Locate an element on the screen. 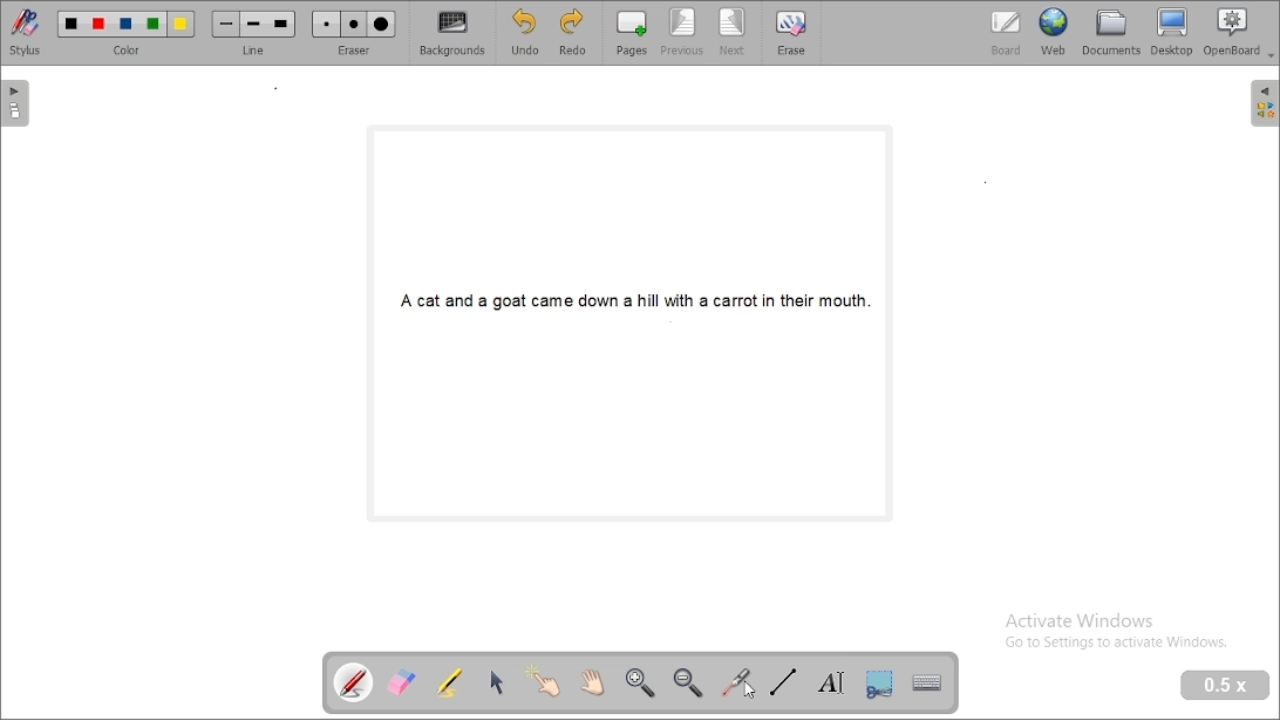 Image resolution: width=1280 pixels, height=720 pixels. A cat and a goat came down a hill with a carrot in their mouth. is located at coordinates (634, 302).